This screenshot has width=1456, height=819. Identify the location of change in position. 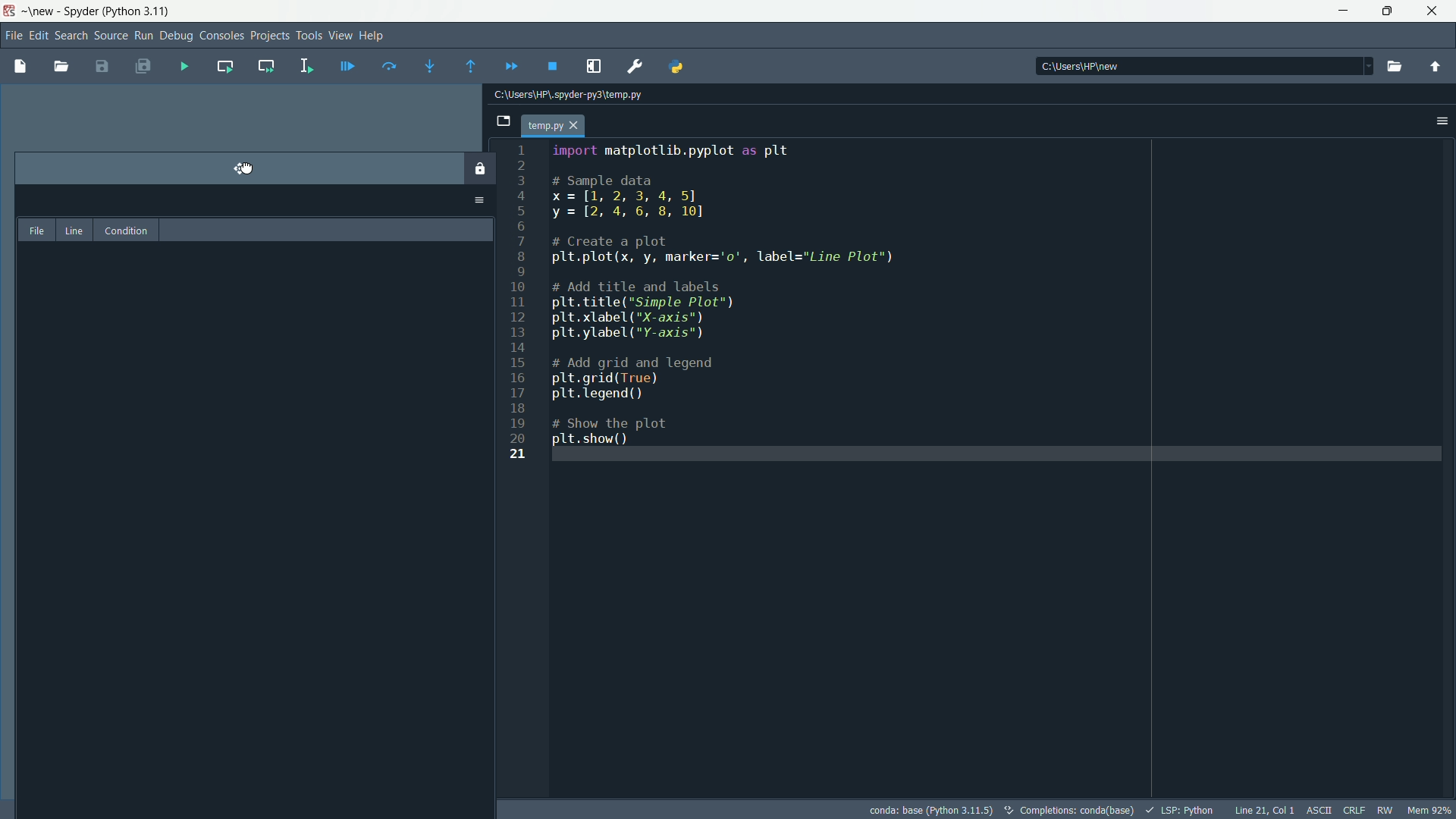
(254, 480).